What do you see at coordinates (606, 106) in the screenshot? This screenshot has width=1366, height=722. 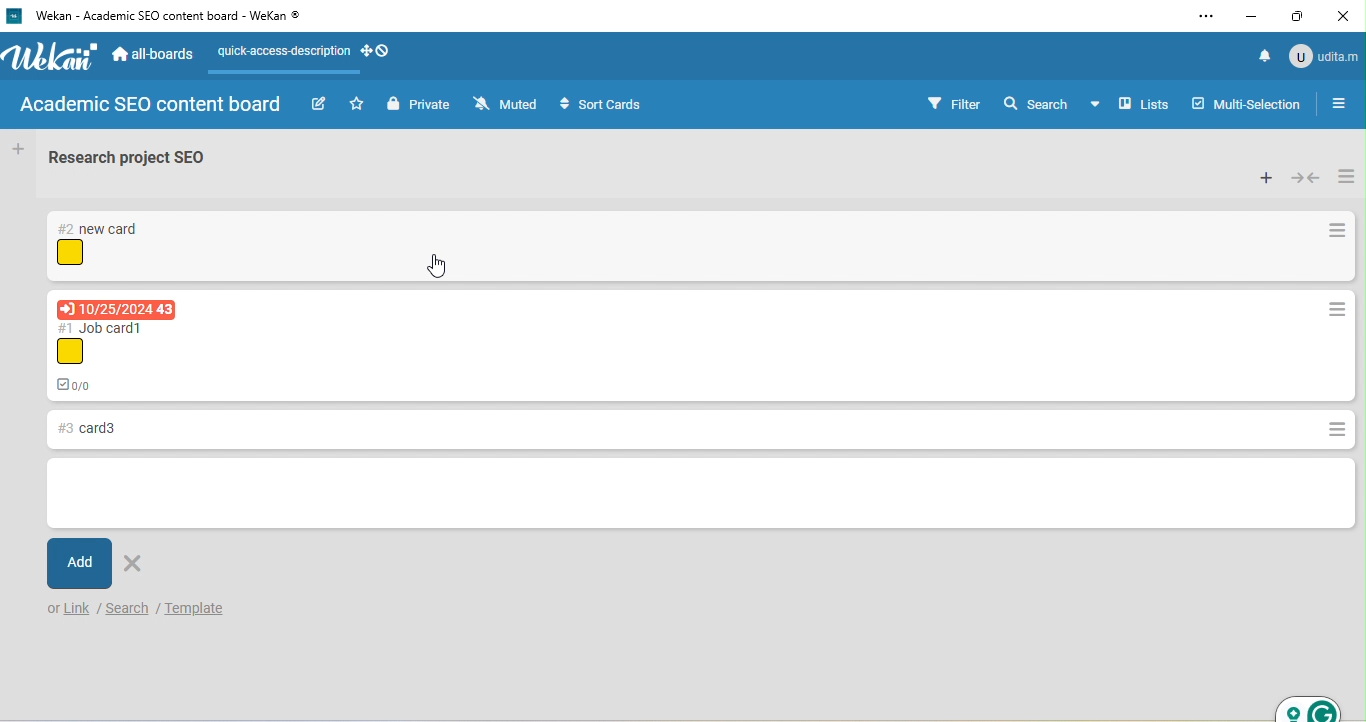 I see `sort cards` at bounding box center [606, 106].